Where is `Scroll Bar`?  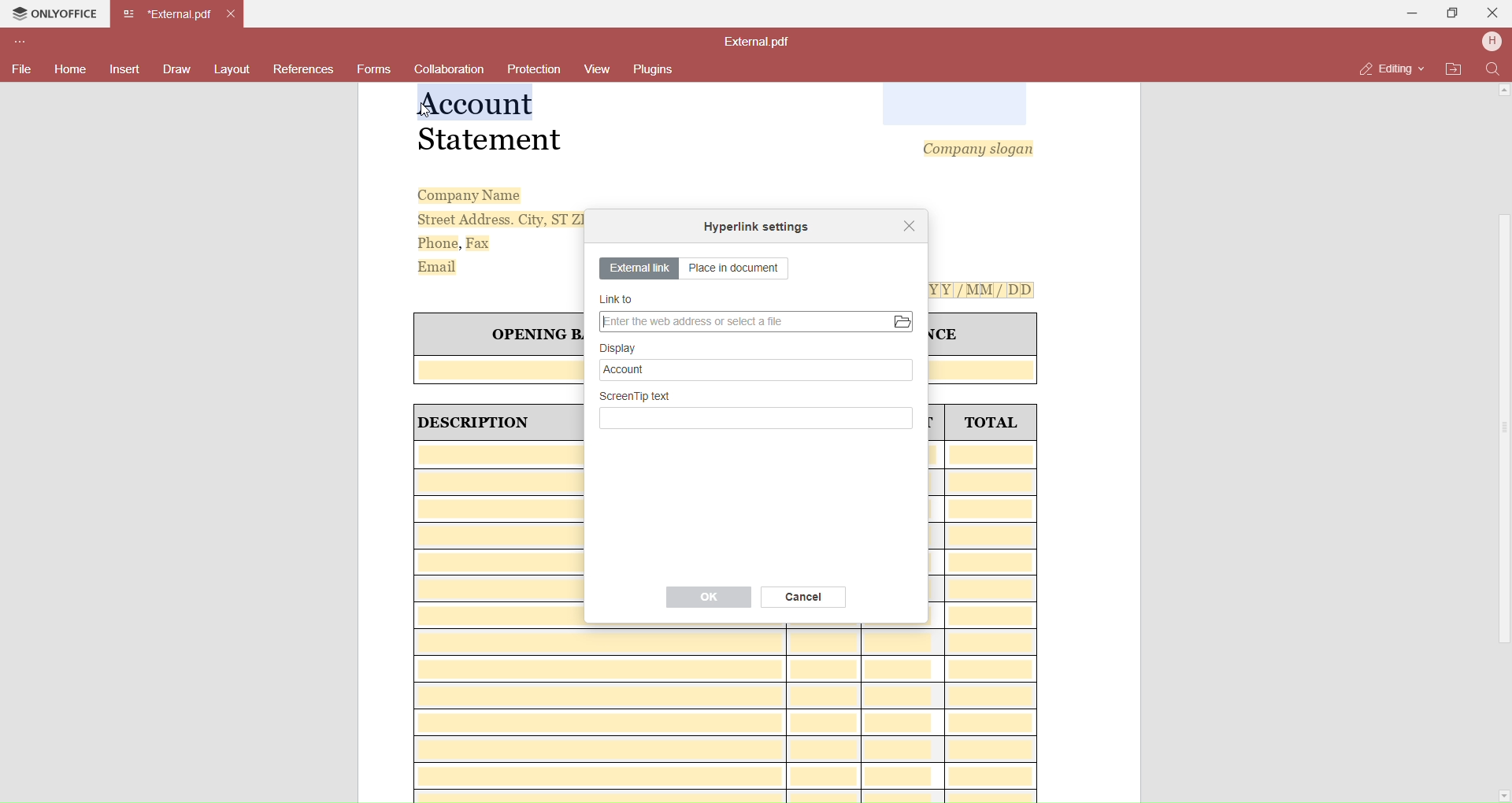 Scroll Bar is located at coordinates (1502, 430).